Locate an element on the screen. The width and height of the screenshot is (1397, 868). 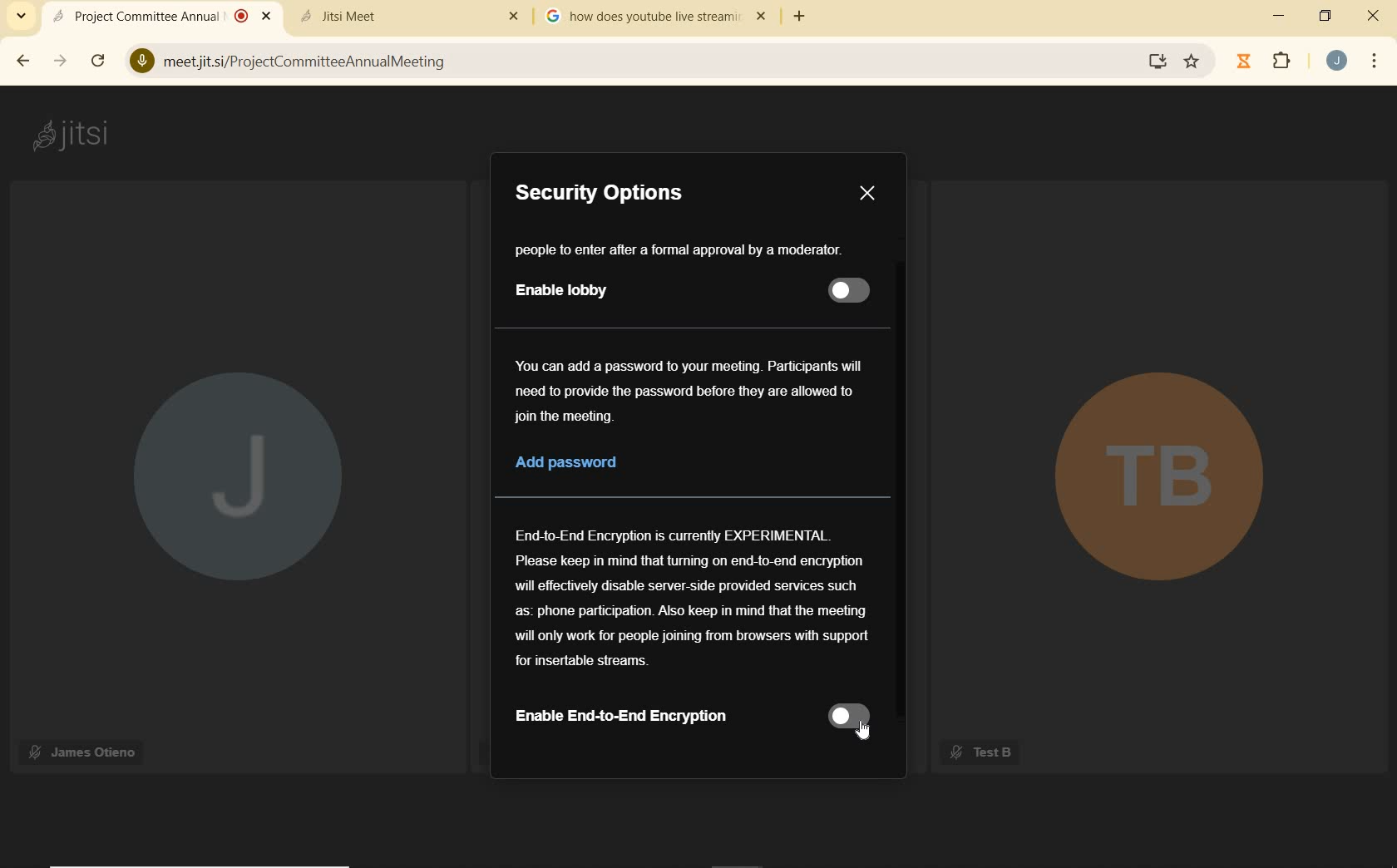
BACK is located at coordinates (20, 62).